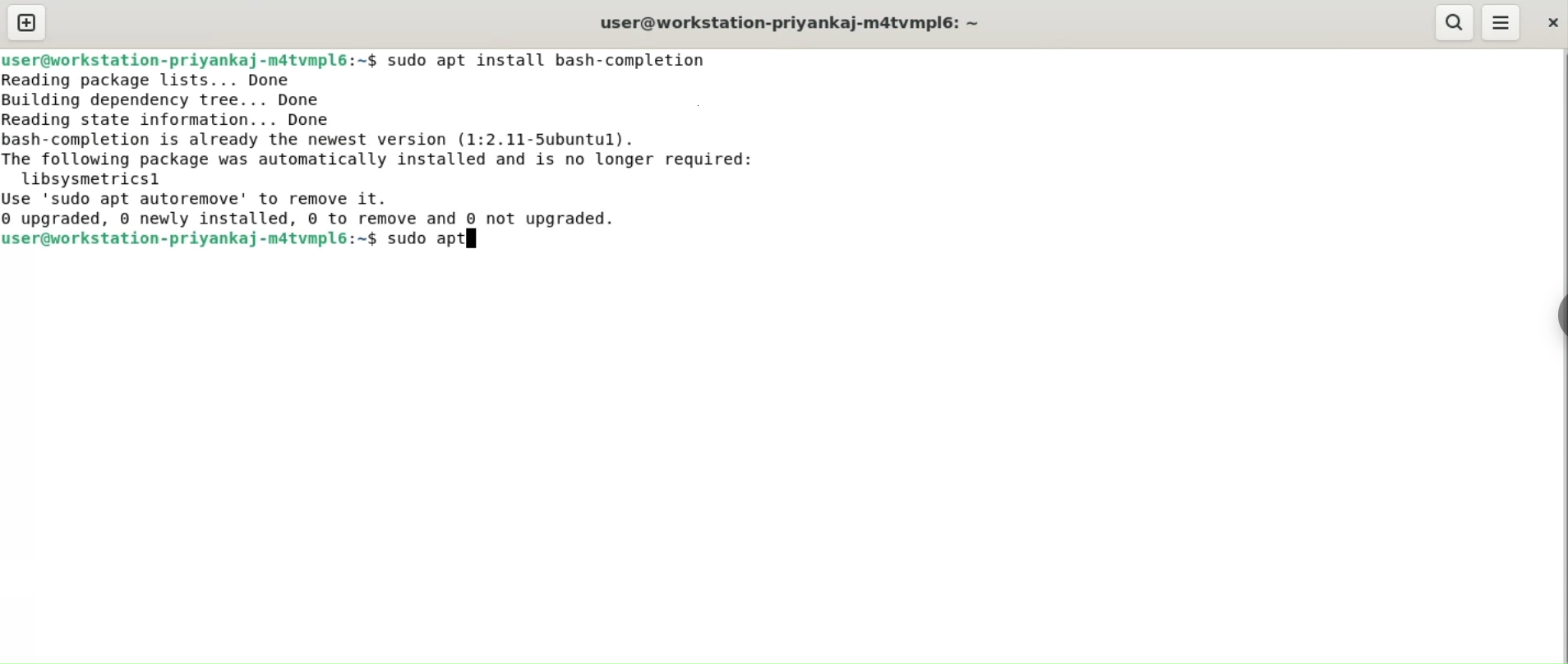 This screenshot has height=664, width=1568. What do you see at coordinates (396, 150) in the screenshot?
I see `neadlng package Lists... bone

Building dependency tree... Done

Reading state information... Done

bash-completion is already the newest version (1:2.11-5ubuntul).

The following package was automatically installed and is no longer required:
libsysmetricsl

Use 'sudo apt autoremove' to remove it.

® upgraded, © newly installed, © to remove and © not upgraded.` at bounding box center [396, 150].